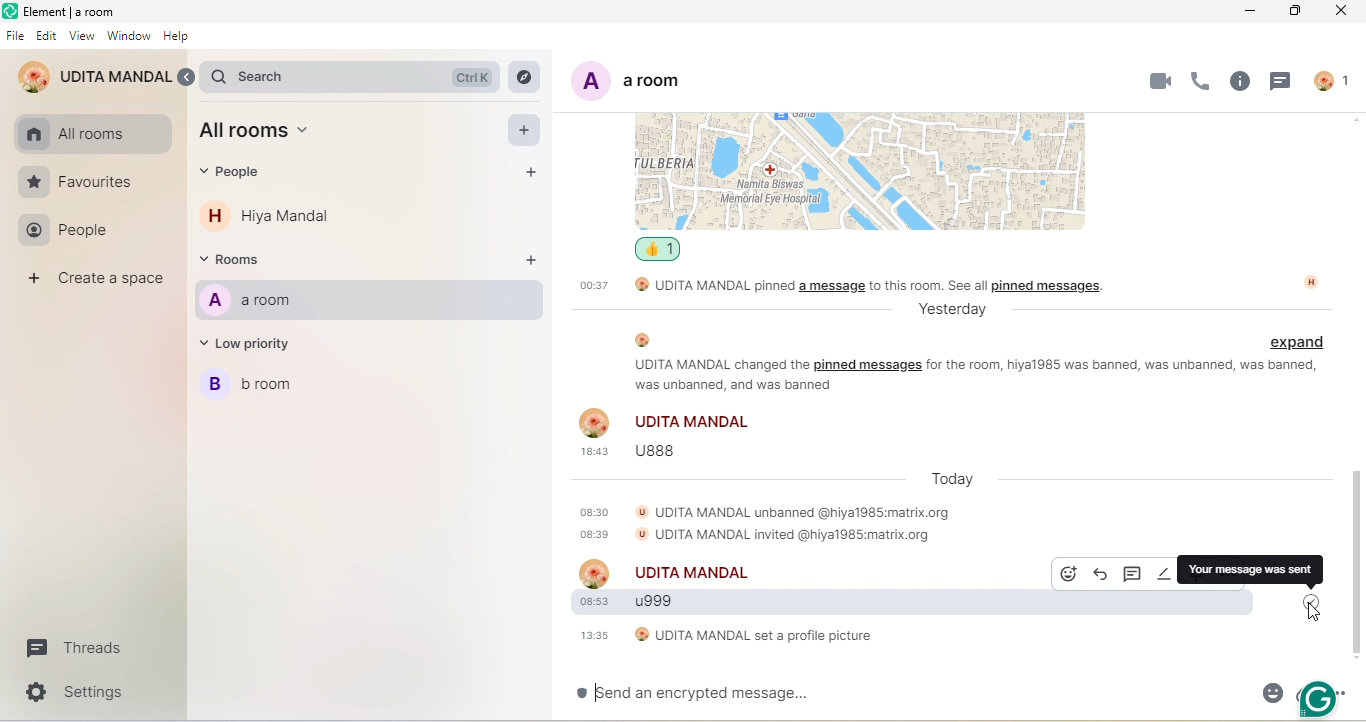 The height and width of the screenshot is (722, 1366). I want to click on Window, so click(128, 38).